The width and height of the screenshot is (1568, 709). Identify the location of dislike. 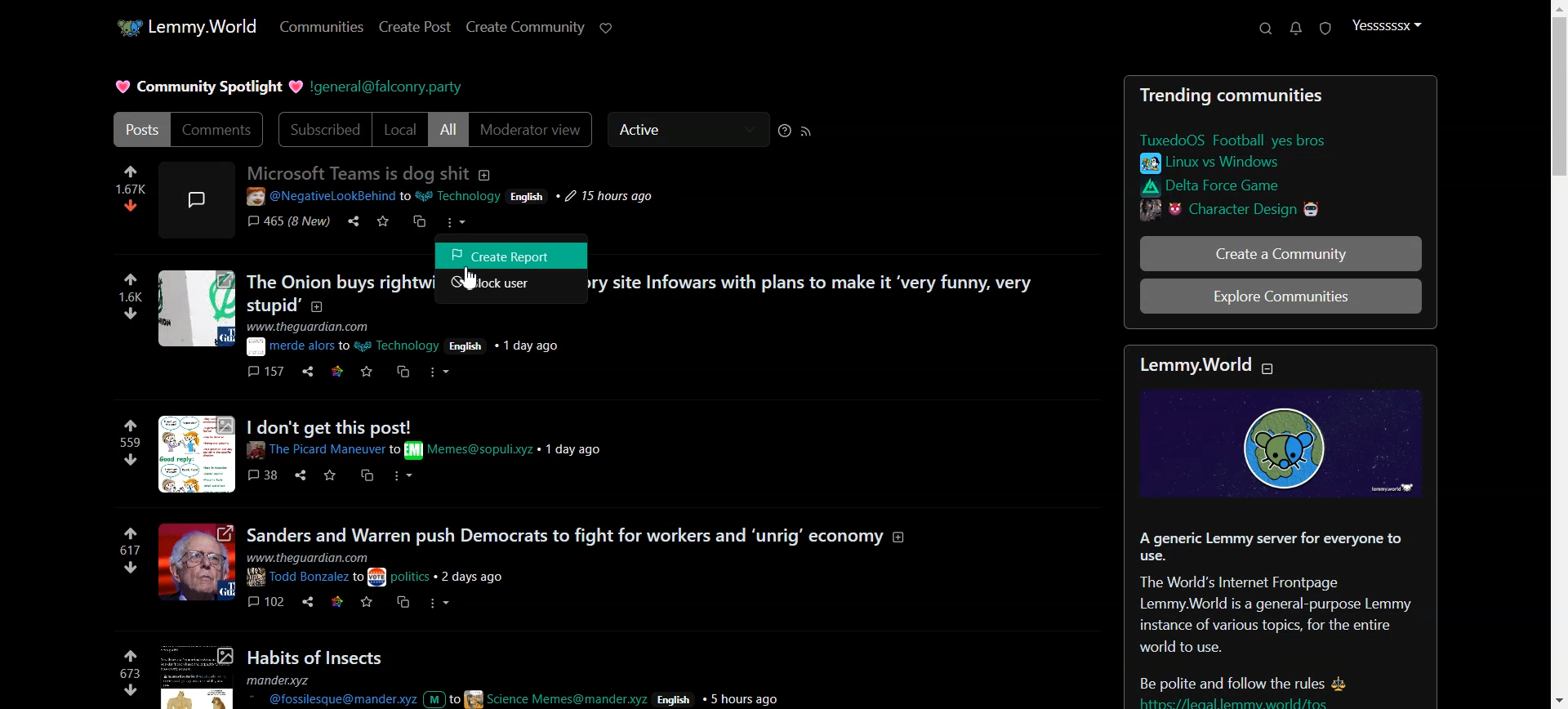
(132, 205).